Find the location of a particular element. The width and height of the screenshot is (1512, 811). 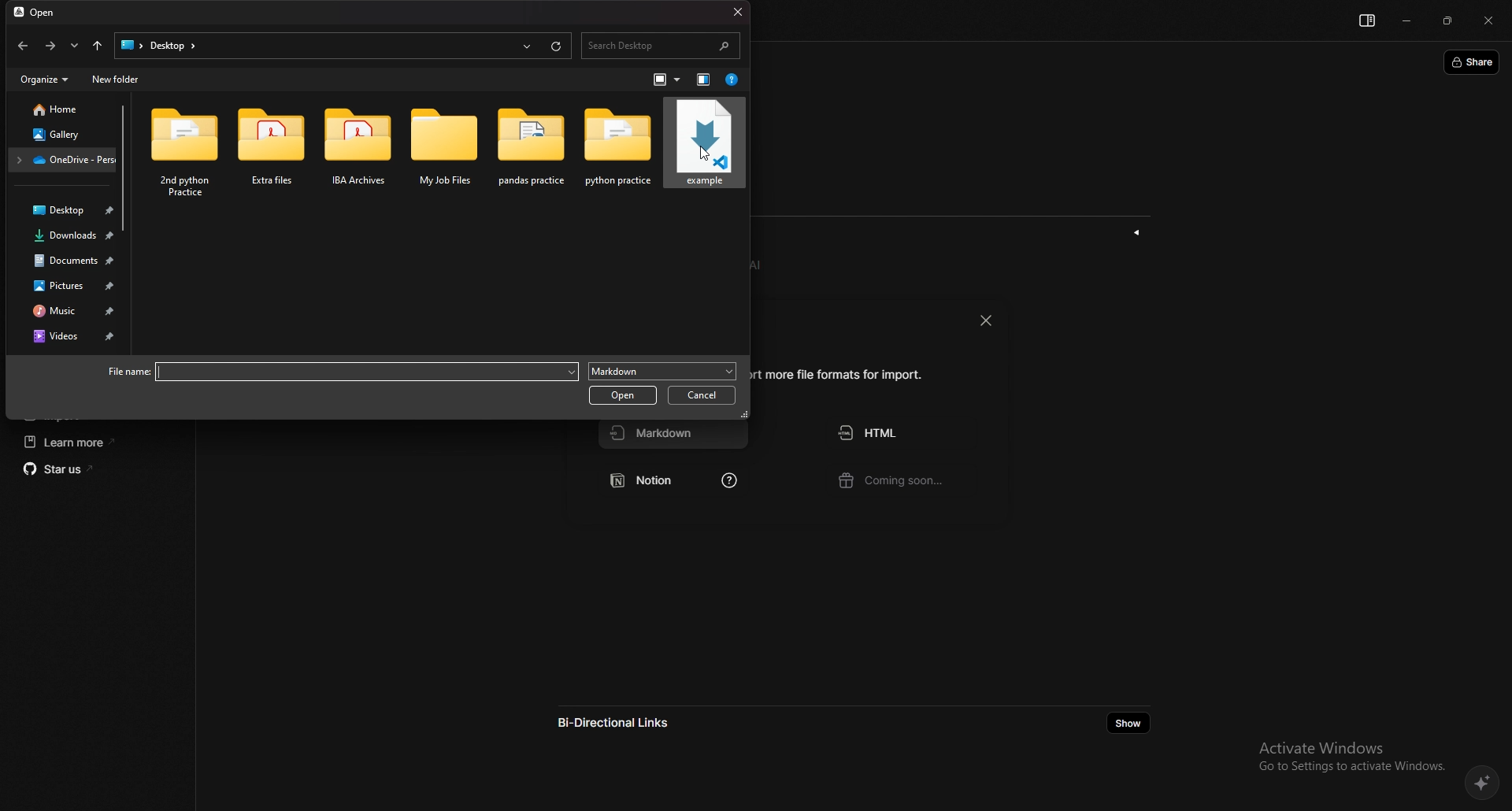

show is located at coordinates (1127, 723).